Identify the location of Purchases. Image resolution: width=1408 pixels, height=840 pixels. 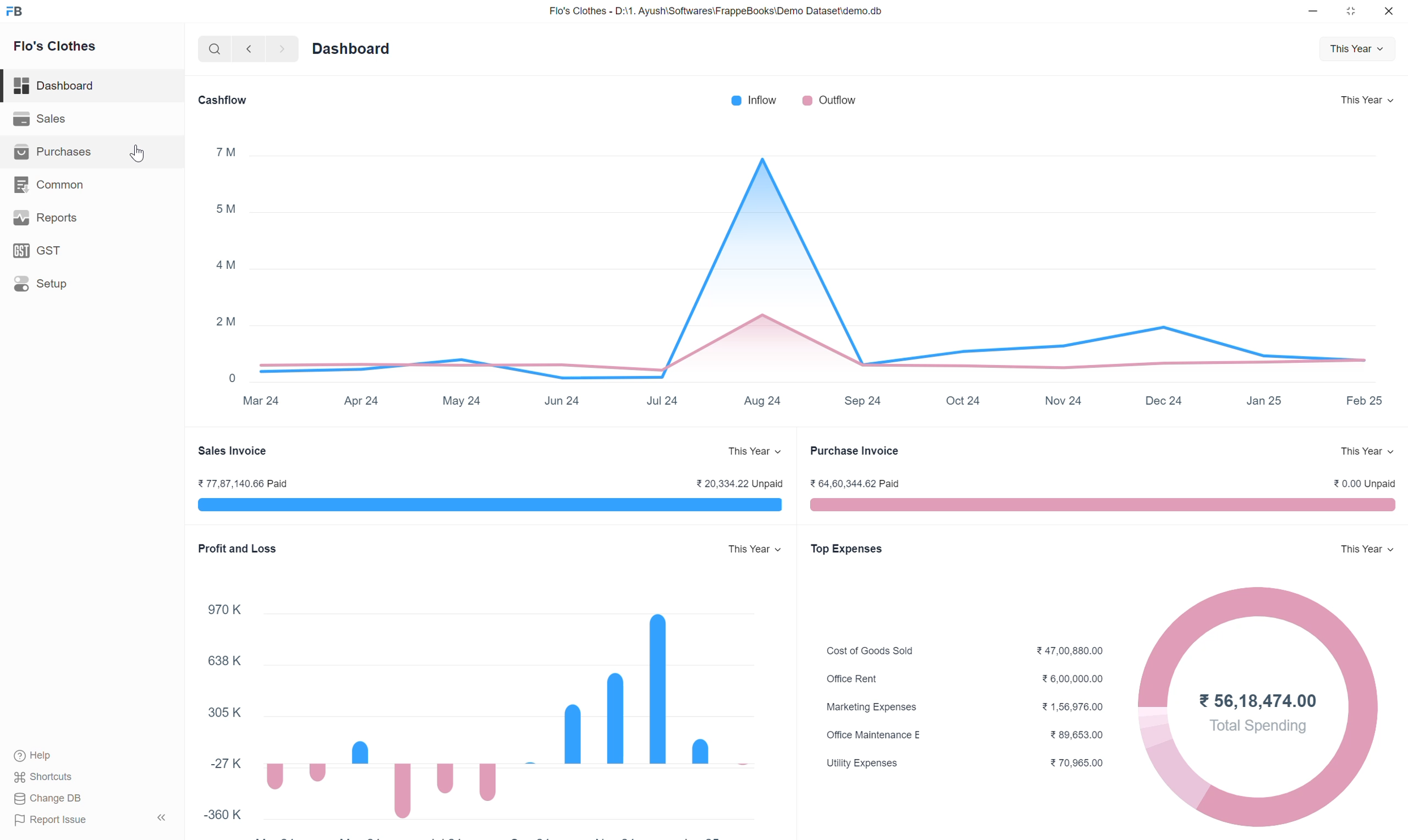
(54, 151).